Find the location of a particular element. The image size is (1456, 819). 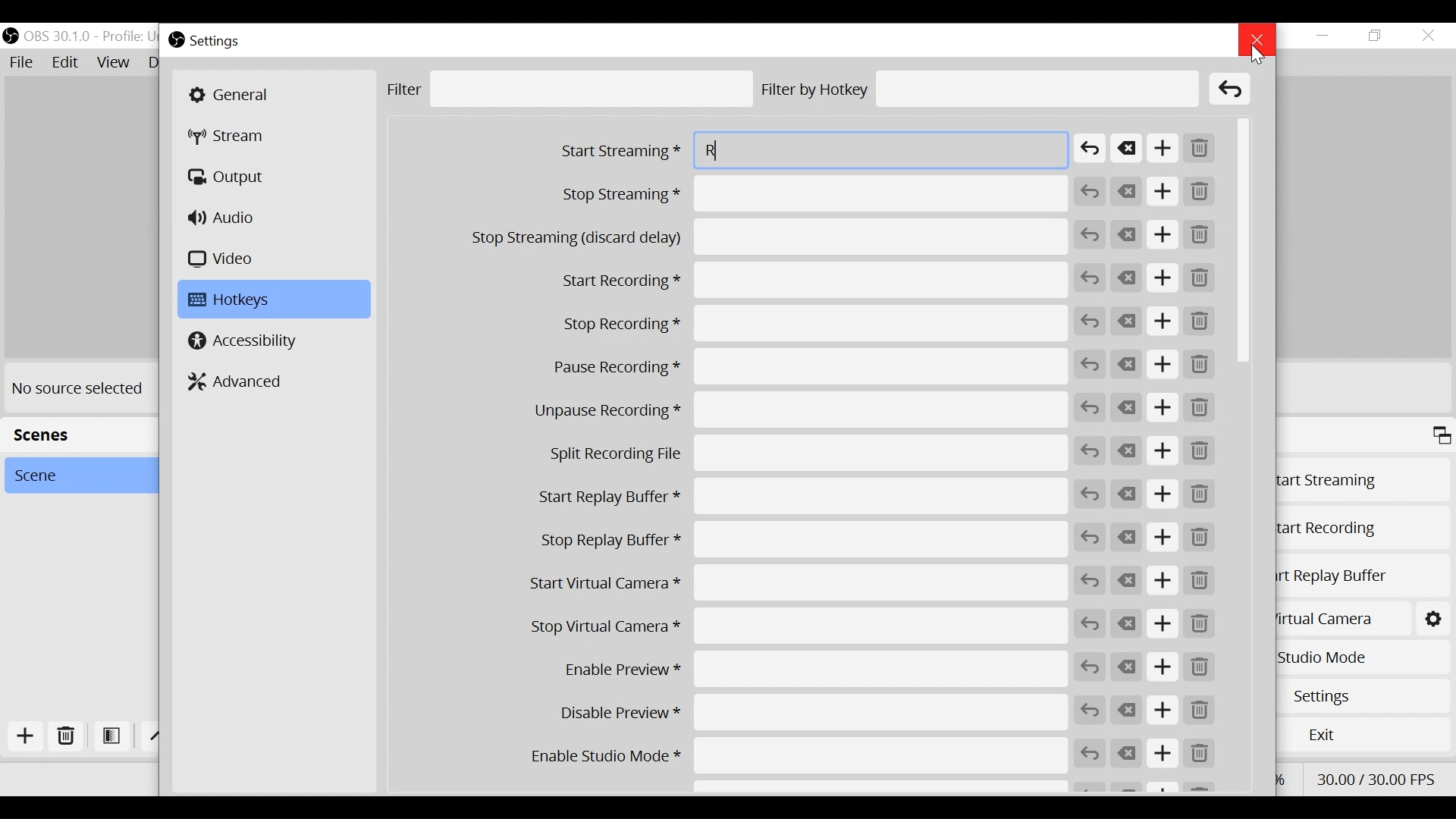

No source selected is located at coordinates (78, 387).